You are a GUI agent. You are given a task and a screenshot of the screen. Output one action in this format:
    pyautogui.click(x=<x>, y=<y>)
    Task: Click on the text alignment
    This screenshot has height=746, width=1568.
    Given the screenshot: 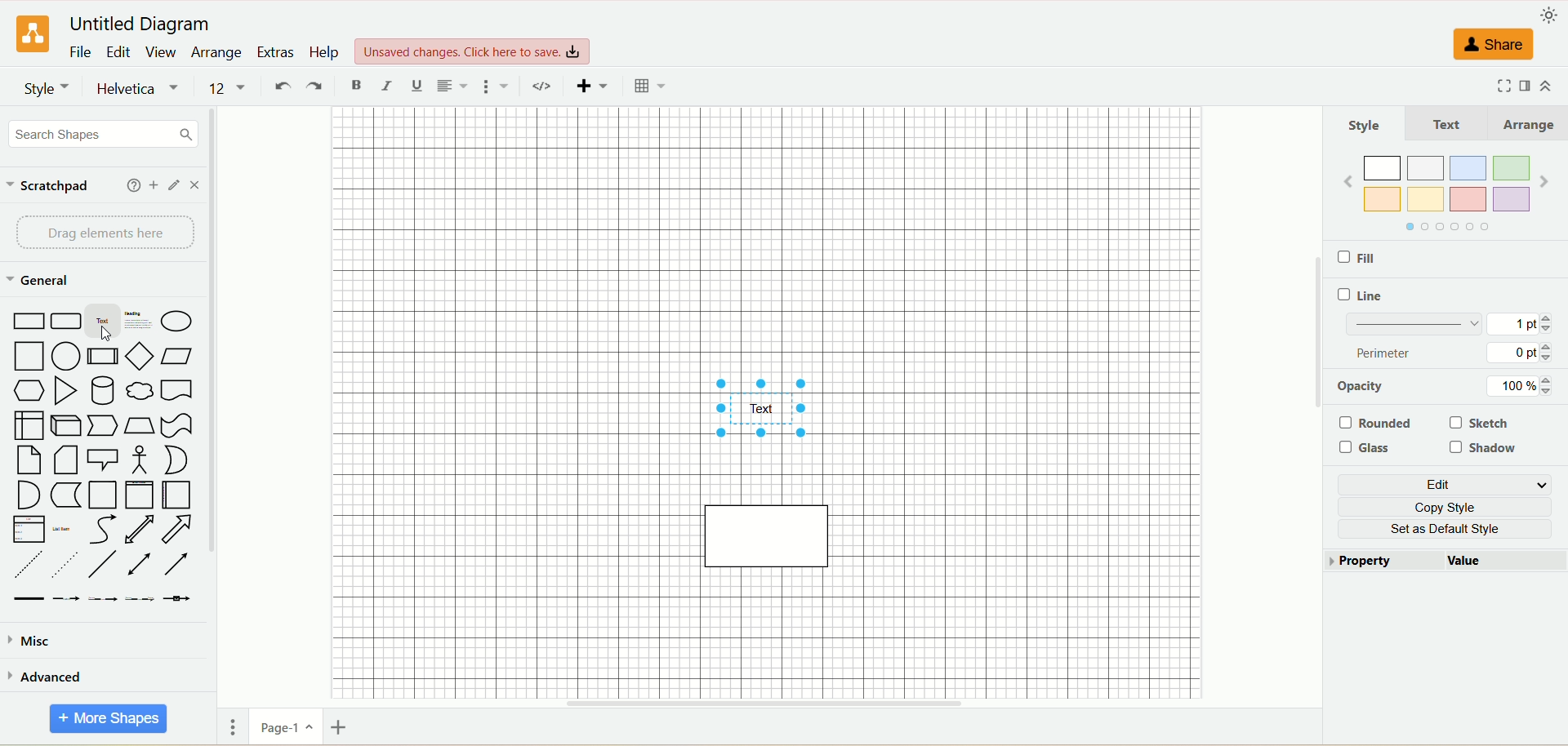 What is the action you would take?
    pyautogui.click(x=457, y=87)
    